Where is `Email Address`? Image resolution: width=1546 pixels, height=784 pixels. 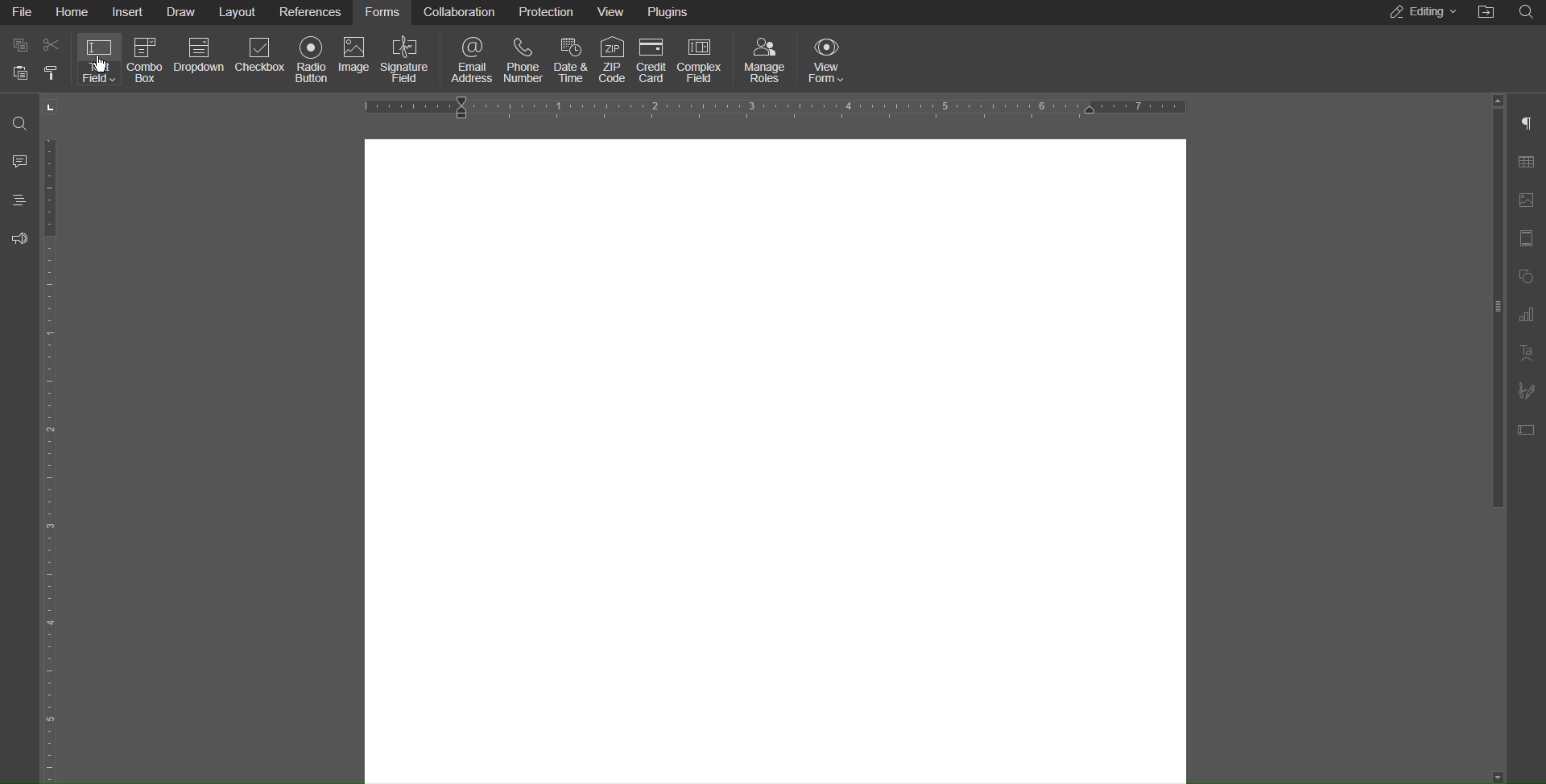
Email Address is located at coordinates (473, 62).